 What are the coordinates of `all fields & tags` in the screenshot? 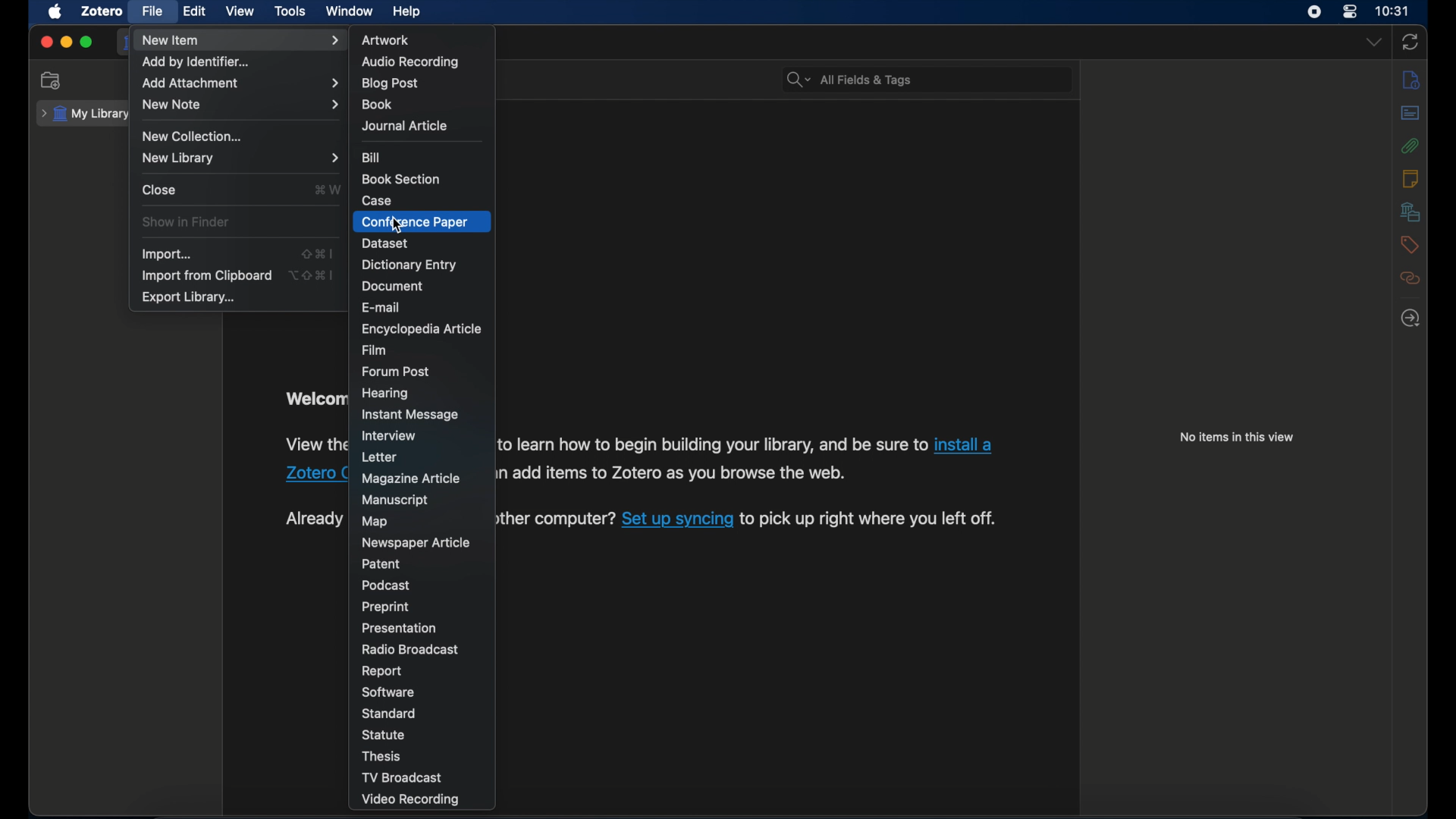 It's located at (849, 79).